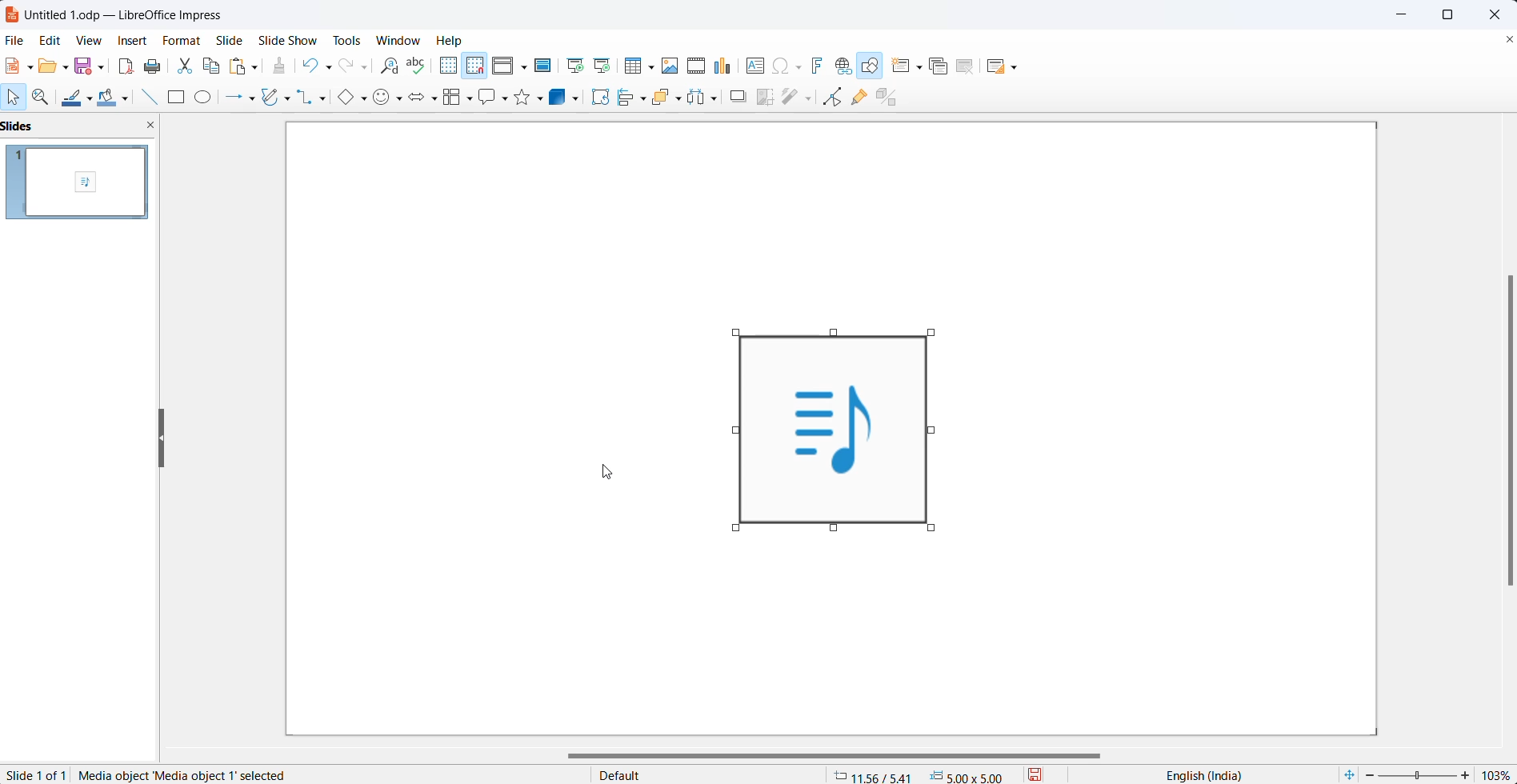 The height and width of the screenshot is (784, 1517). What do you see at coordinates (575, 66) in the screenshot?
I see `start from first slide` at bounding box center [575, 66].